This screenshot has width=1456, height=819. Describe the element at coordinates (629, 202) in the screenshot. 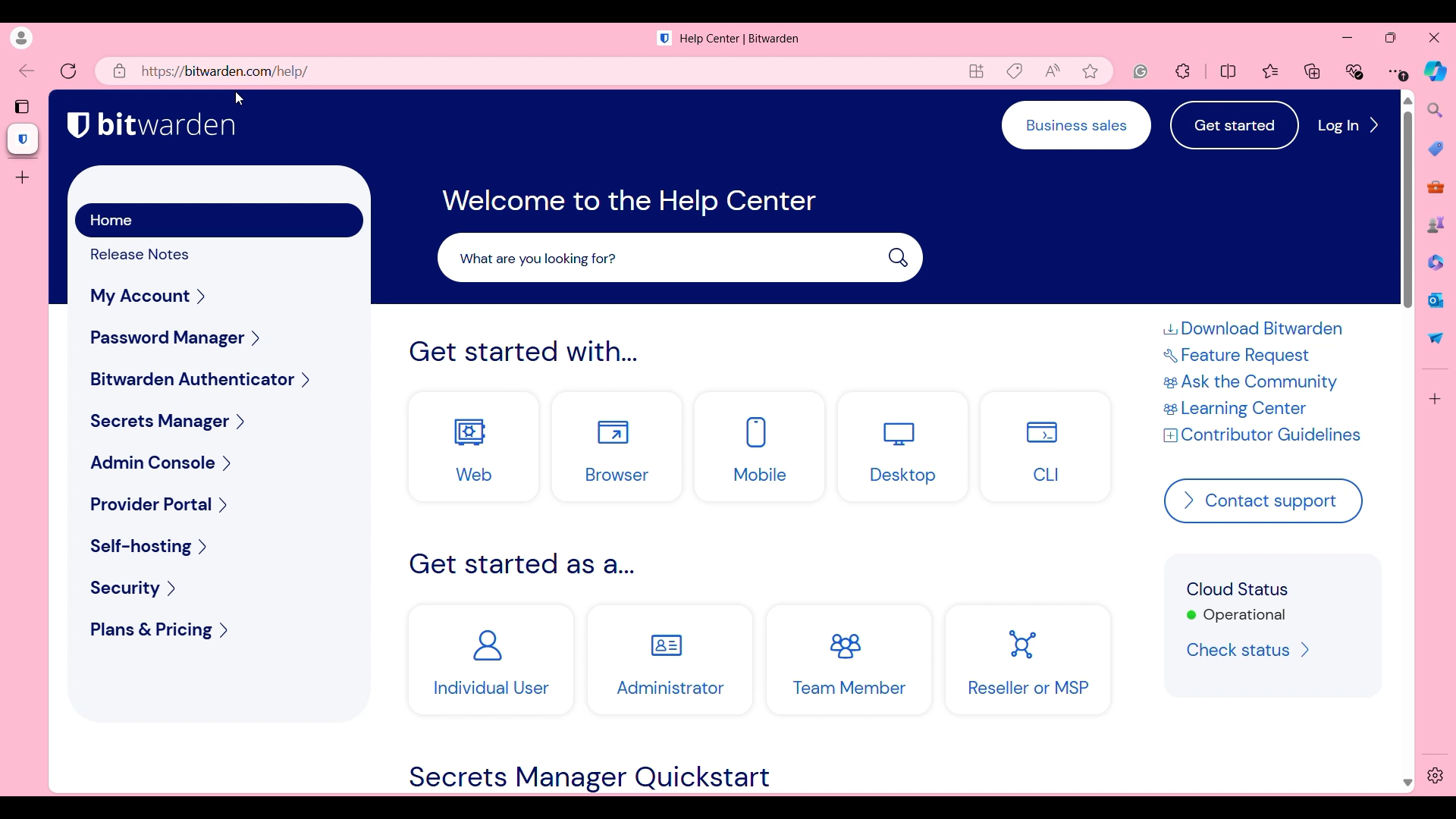

I see `Welcome to the Help Center` at that location.